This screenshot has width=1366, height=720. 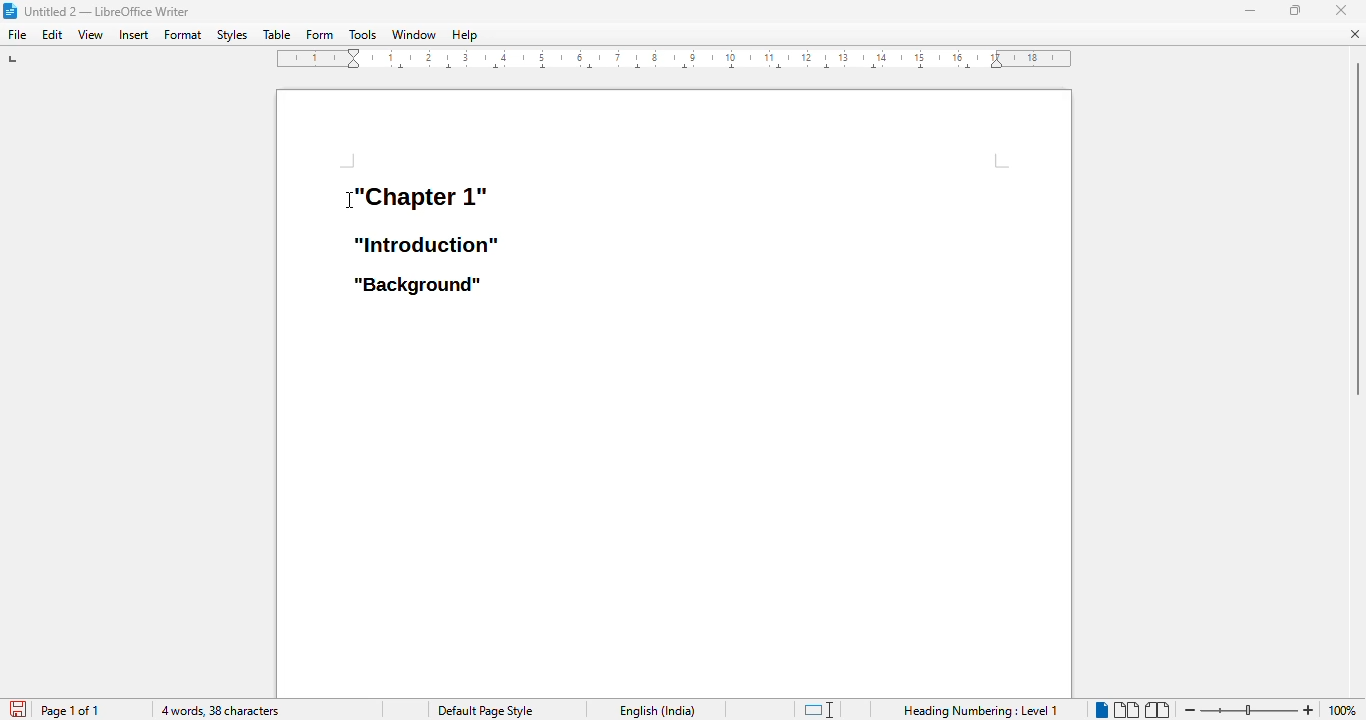 I want to click on styles, so click(x=232, y=34).